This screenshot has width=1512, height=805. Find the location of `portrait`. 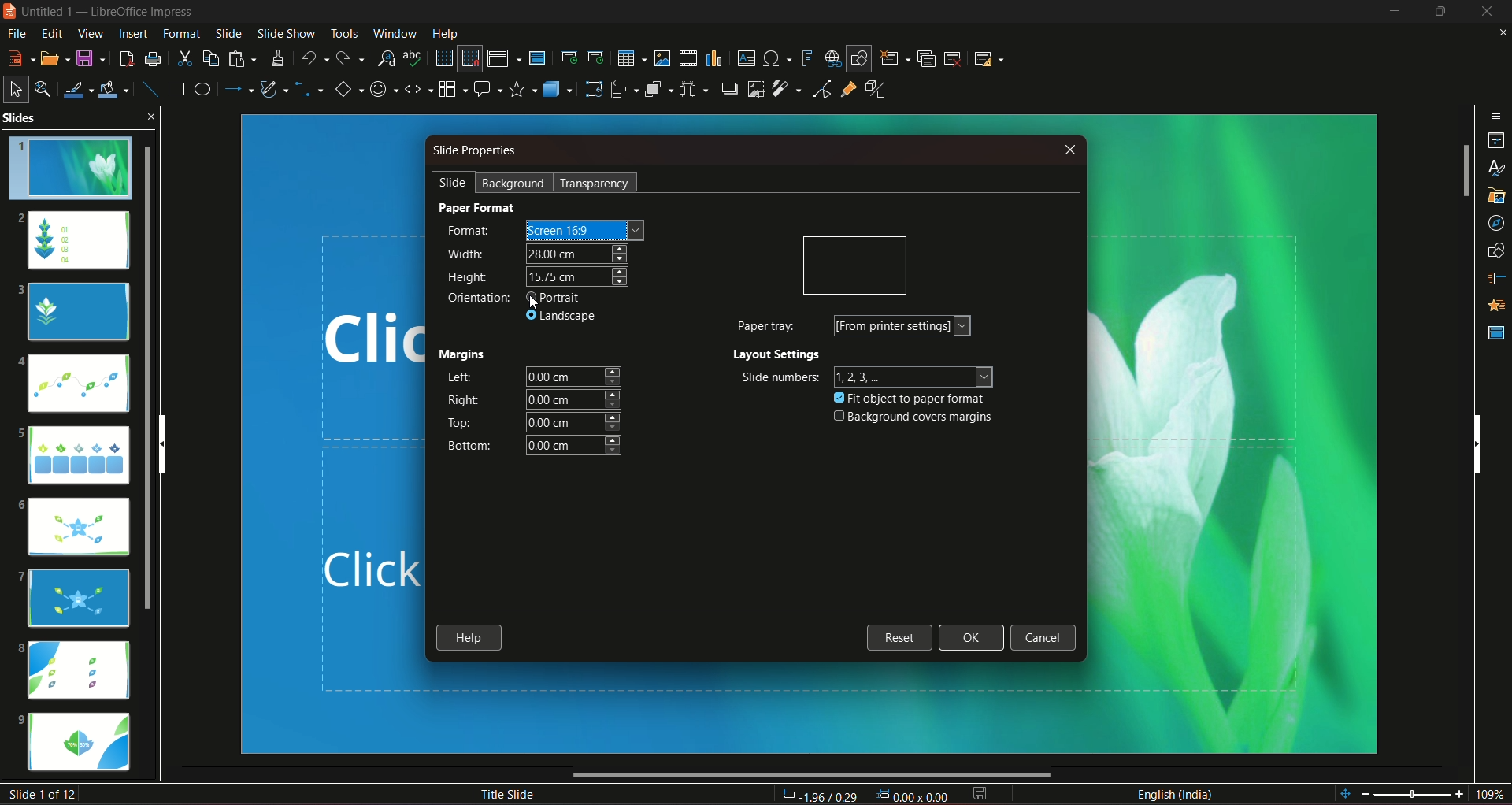

portrait is located at coordinates (561, 299).